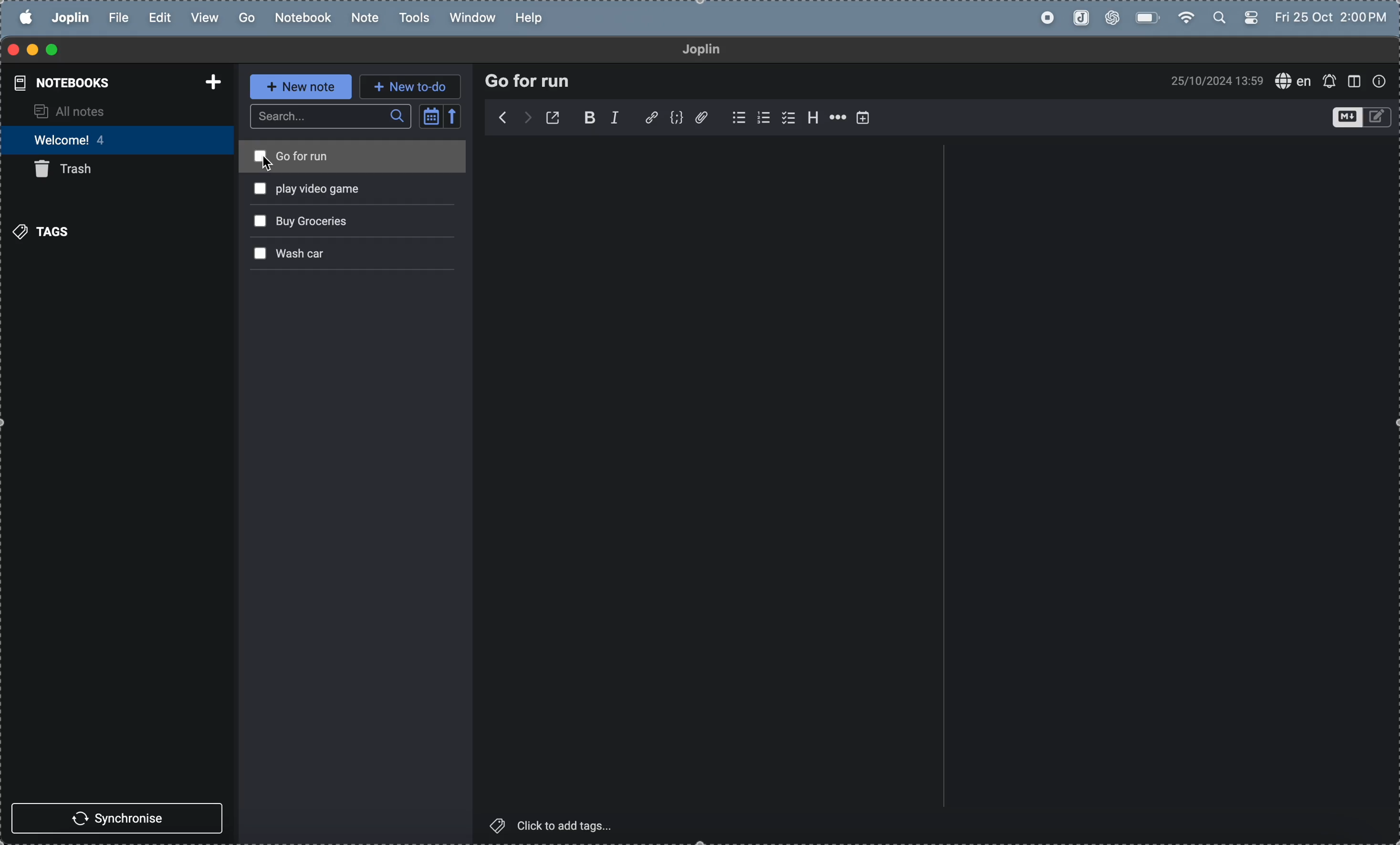 The image size is (1400, 845). Describe the element at coordinates (256, 255) in the screenshot. I see `check box` at that location.